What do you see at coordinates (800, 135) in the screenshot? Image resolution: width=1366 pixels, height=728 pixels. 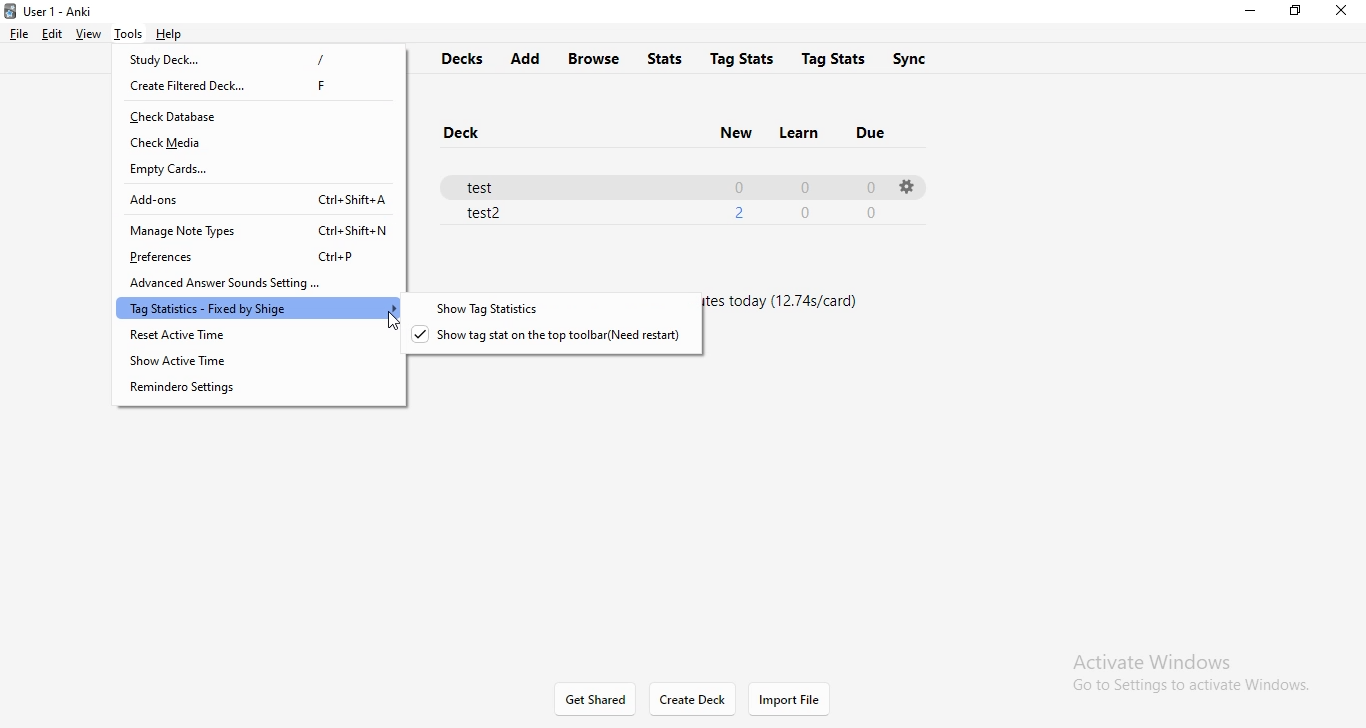 I see `learn` at bounding box center [800, 135].